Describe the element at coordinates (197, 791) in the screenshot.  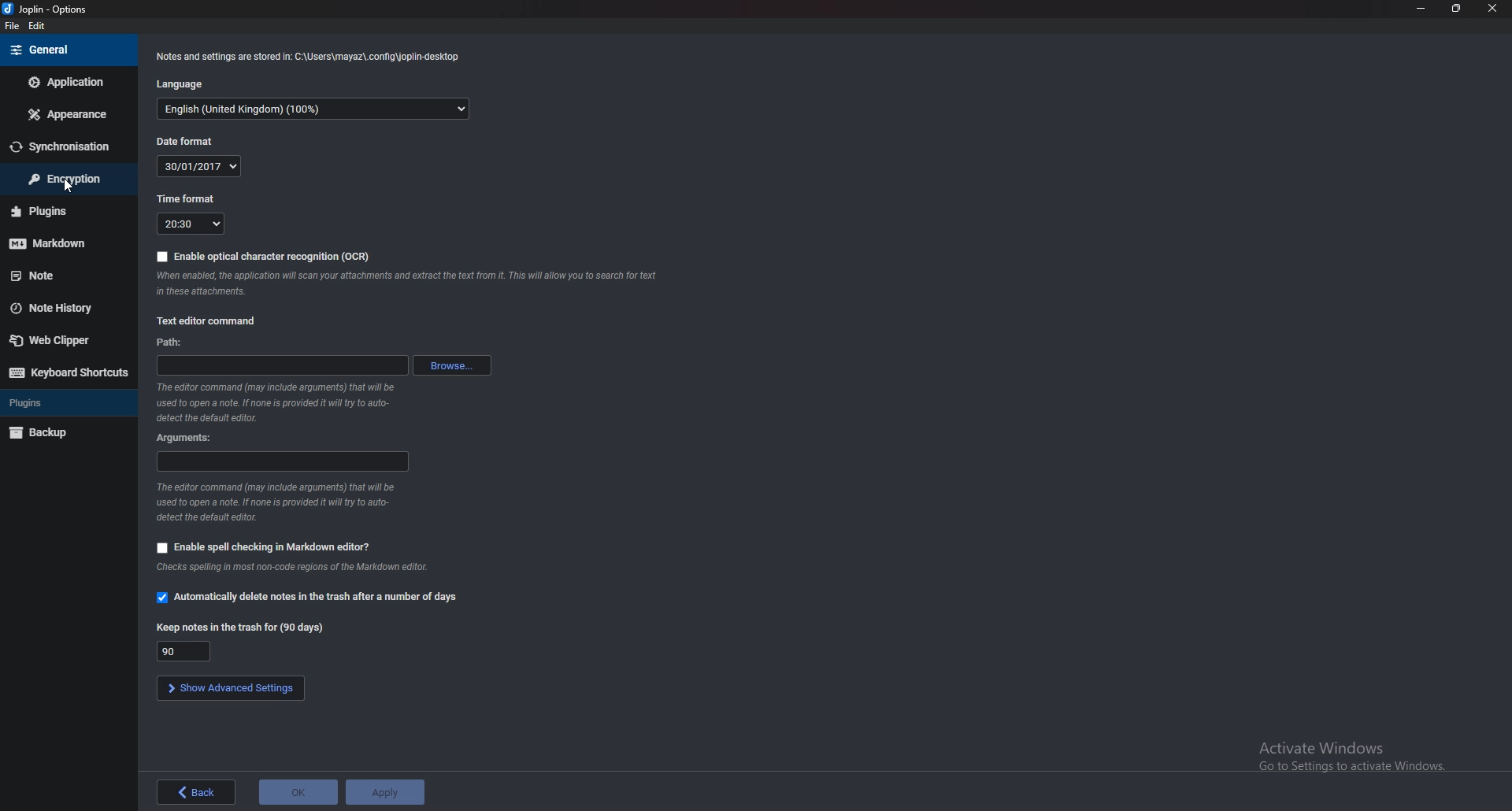
I see `back` at that location.